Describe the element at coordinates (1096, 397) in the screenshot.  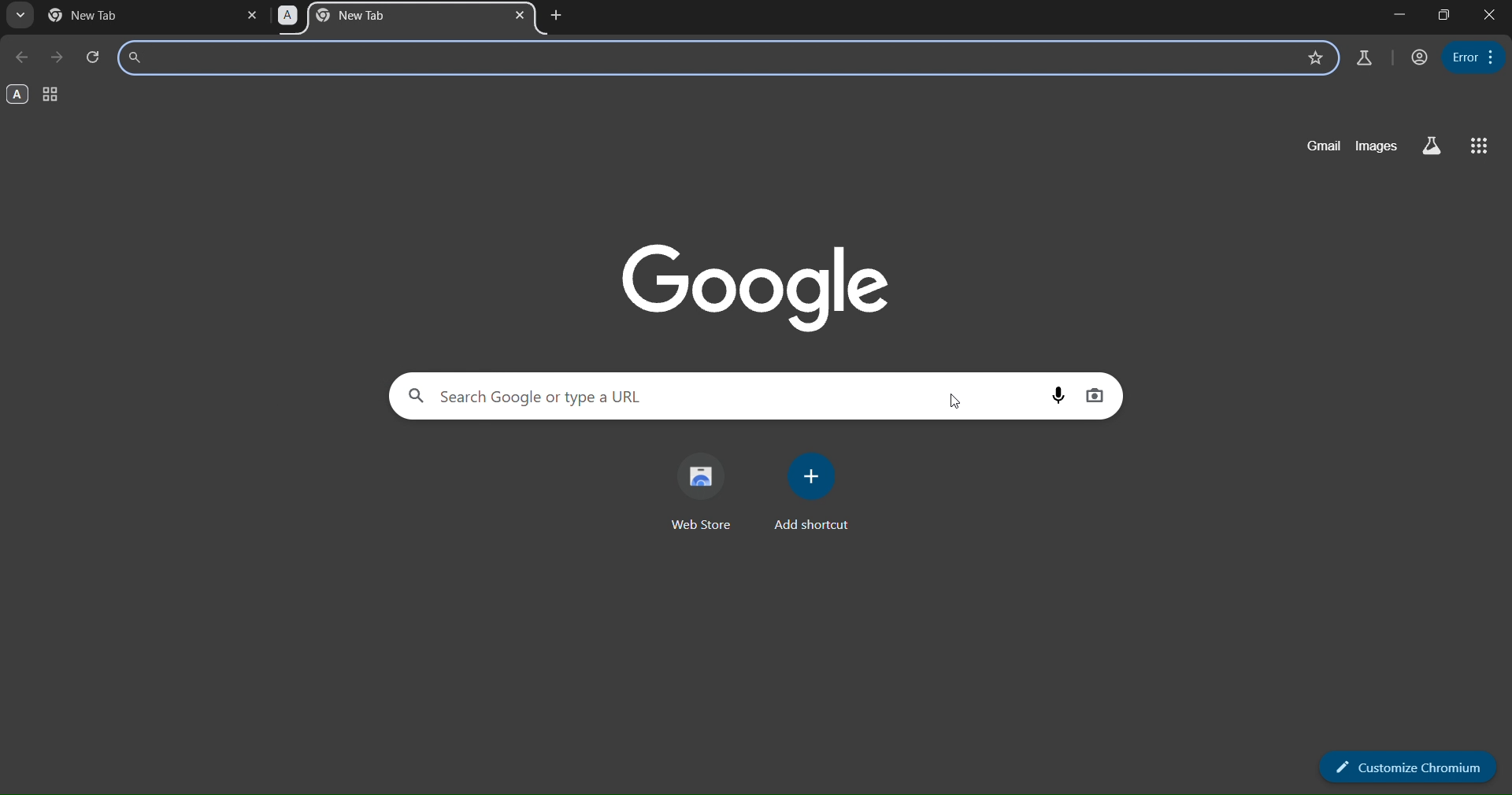
I see `image search` at that location.